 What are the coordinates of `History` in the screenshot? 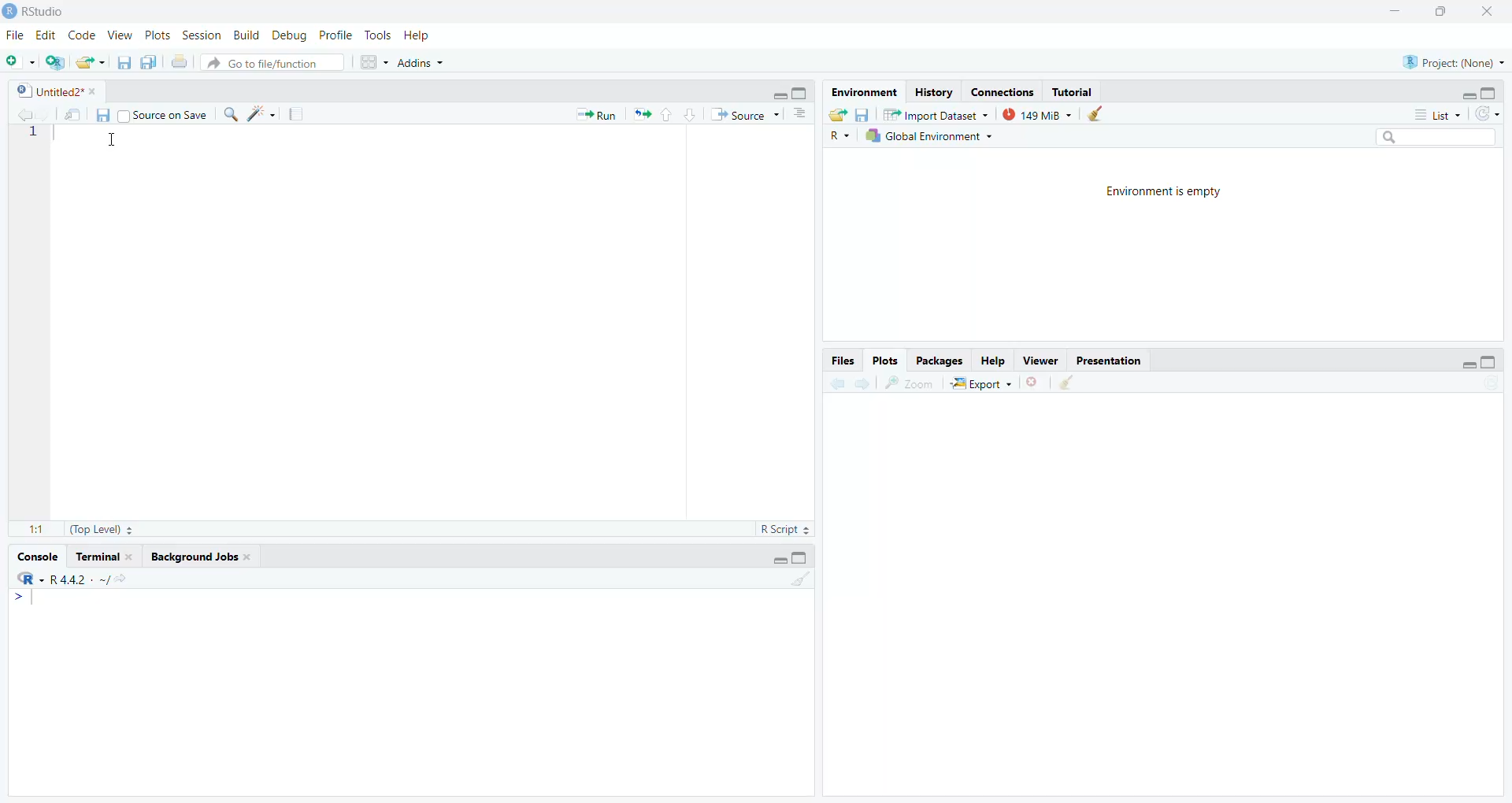 It's located at (936, 93).